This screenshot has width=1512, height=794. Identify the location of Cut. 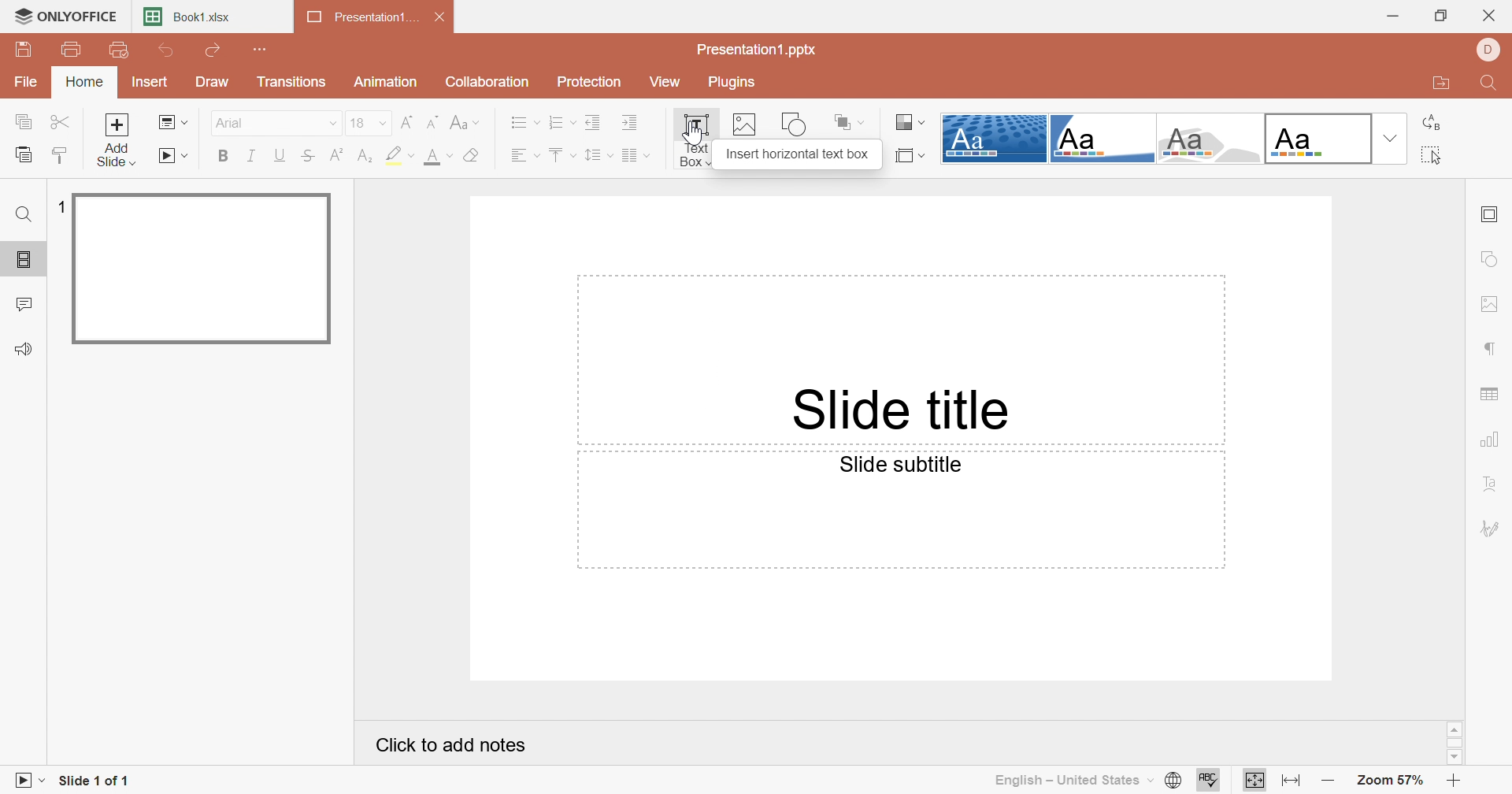
(60, 122).